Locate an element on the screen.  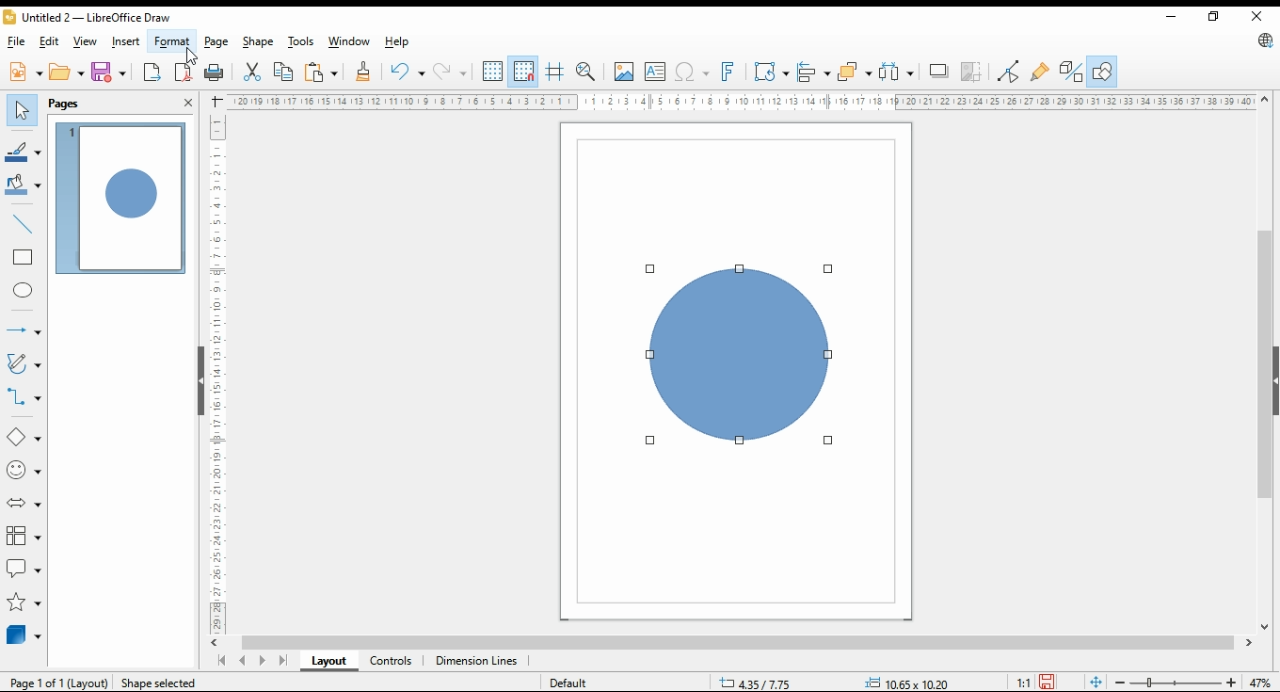
print is located at coordinates (216, 73).